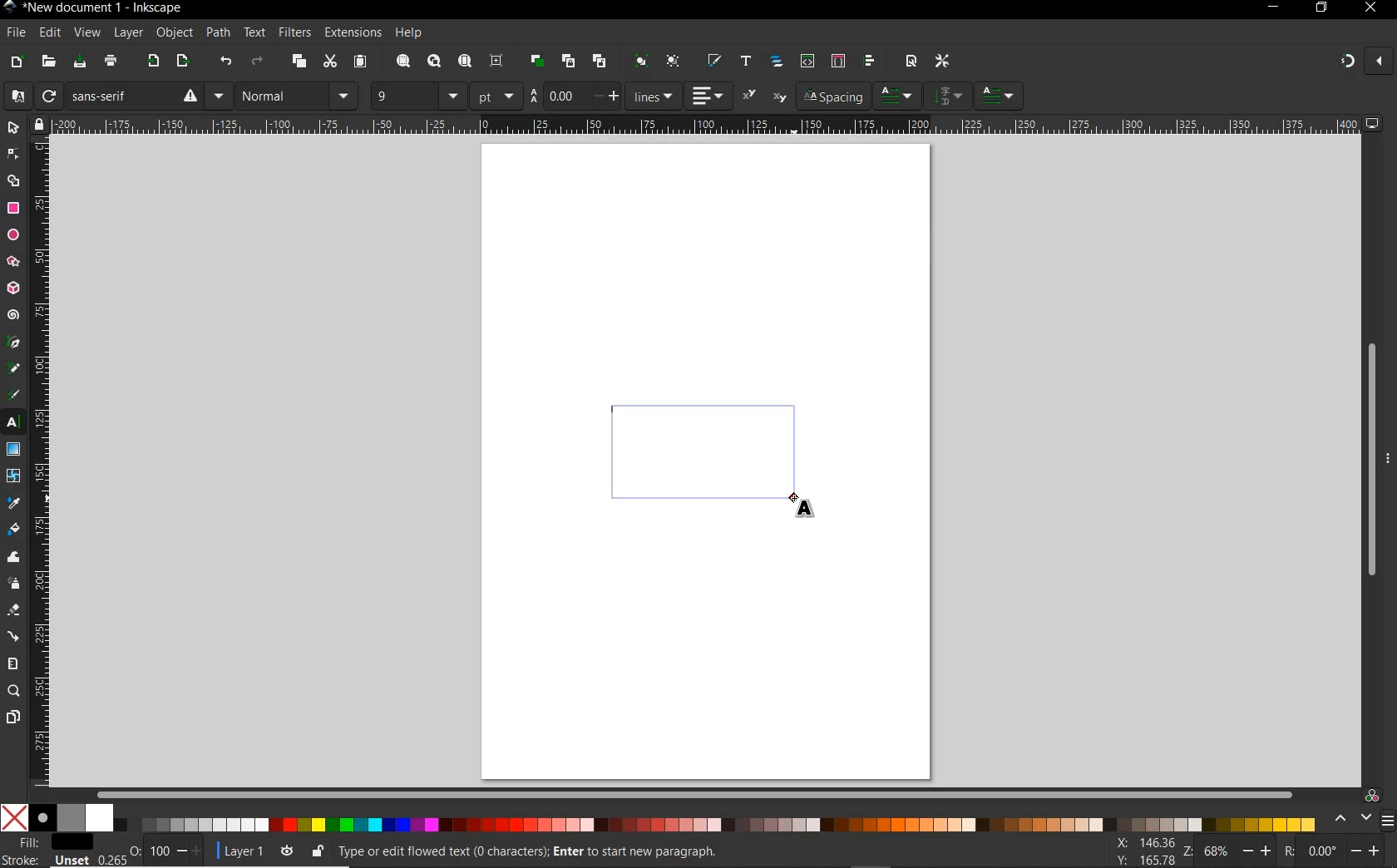 The width and height of the screenshot is (1397, 868). What do you see at coordinates (215, 31) in the screenshot?
I see `path` at bounding box center [215, 31].